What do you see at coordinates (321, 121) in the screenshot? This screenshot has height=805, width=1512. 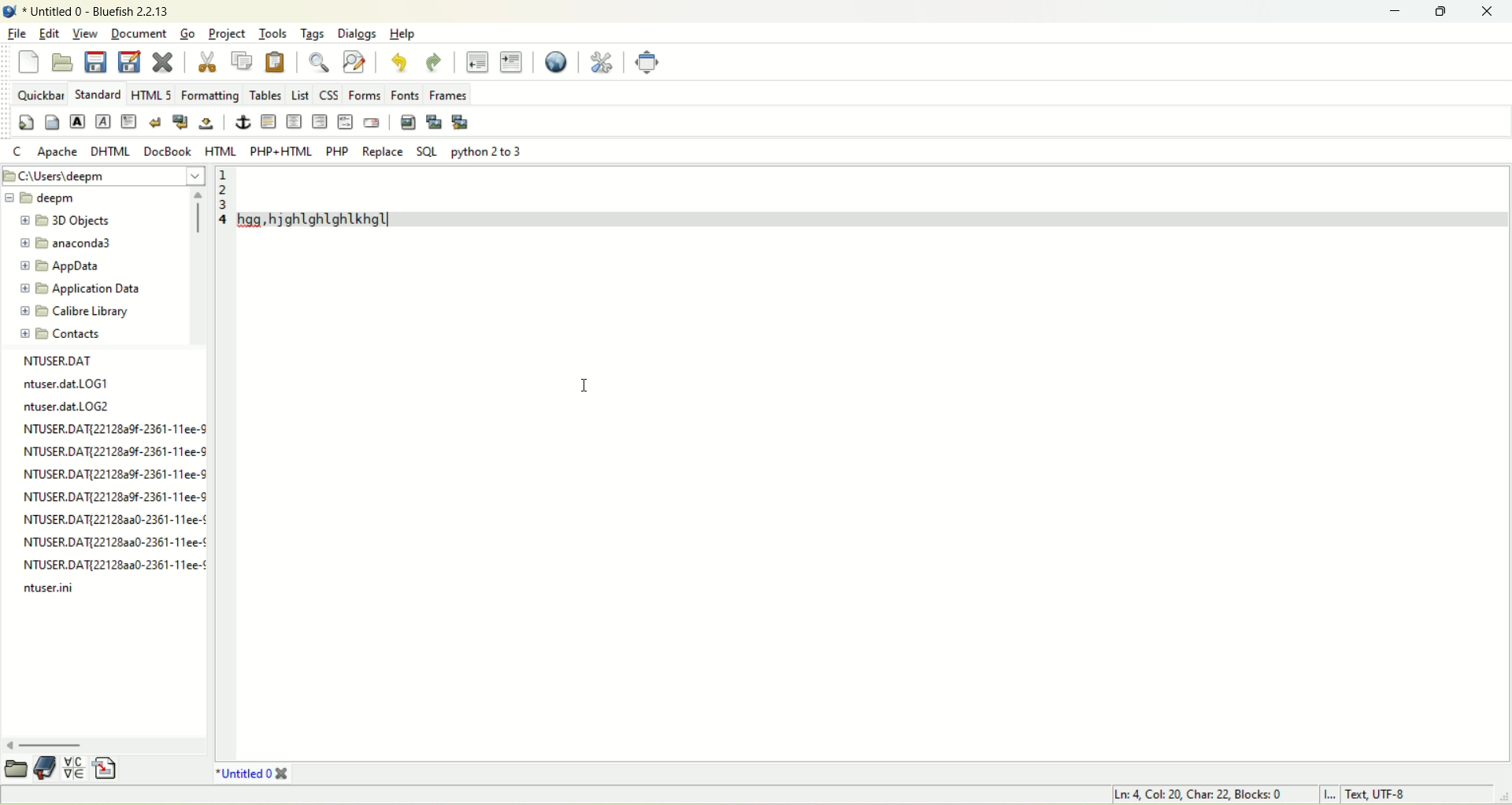 I see `right justify` at bounding box center [321, 121].